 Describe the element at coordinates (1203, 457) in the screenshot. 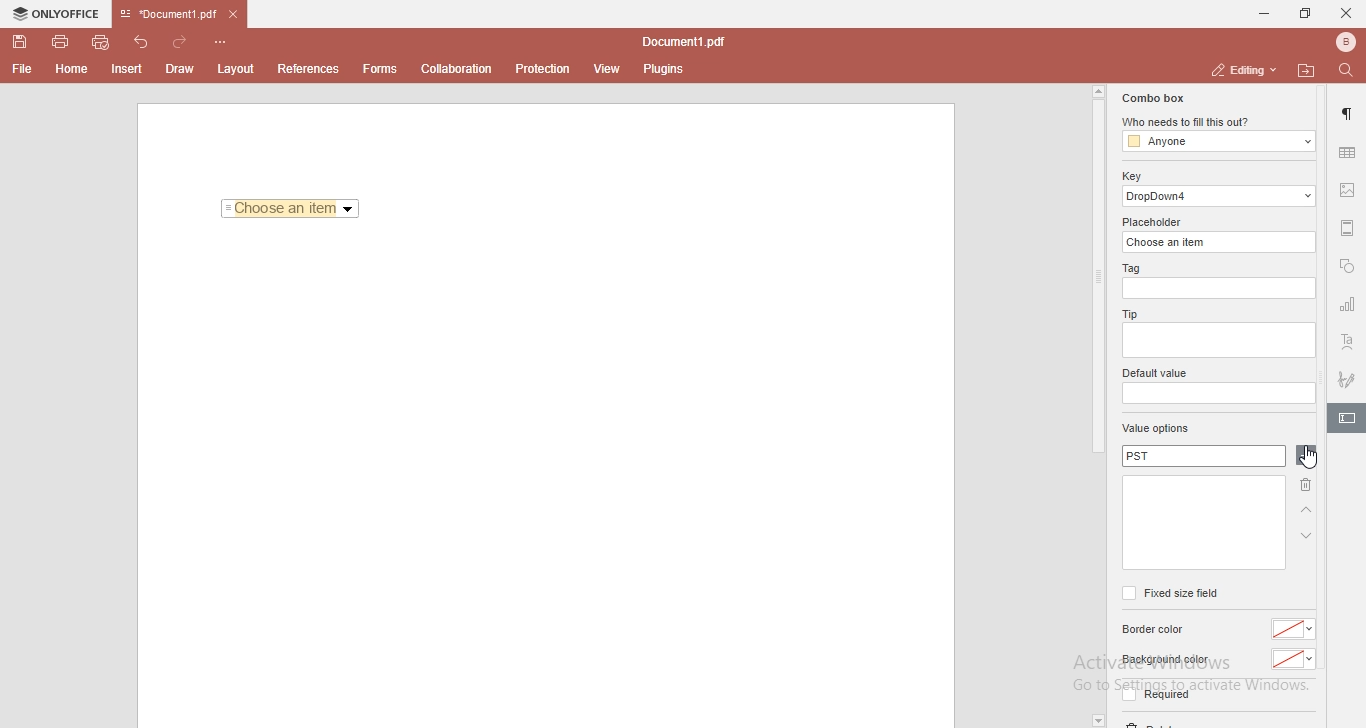

I see `pst` at that location.